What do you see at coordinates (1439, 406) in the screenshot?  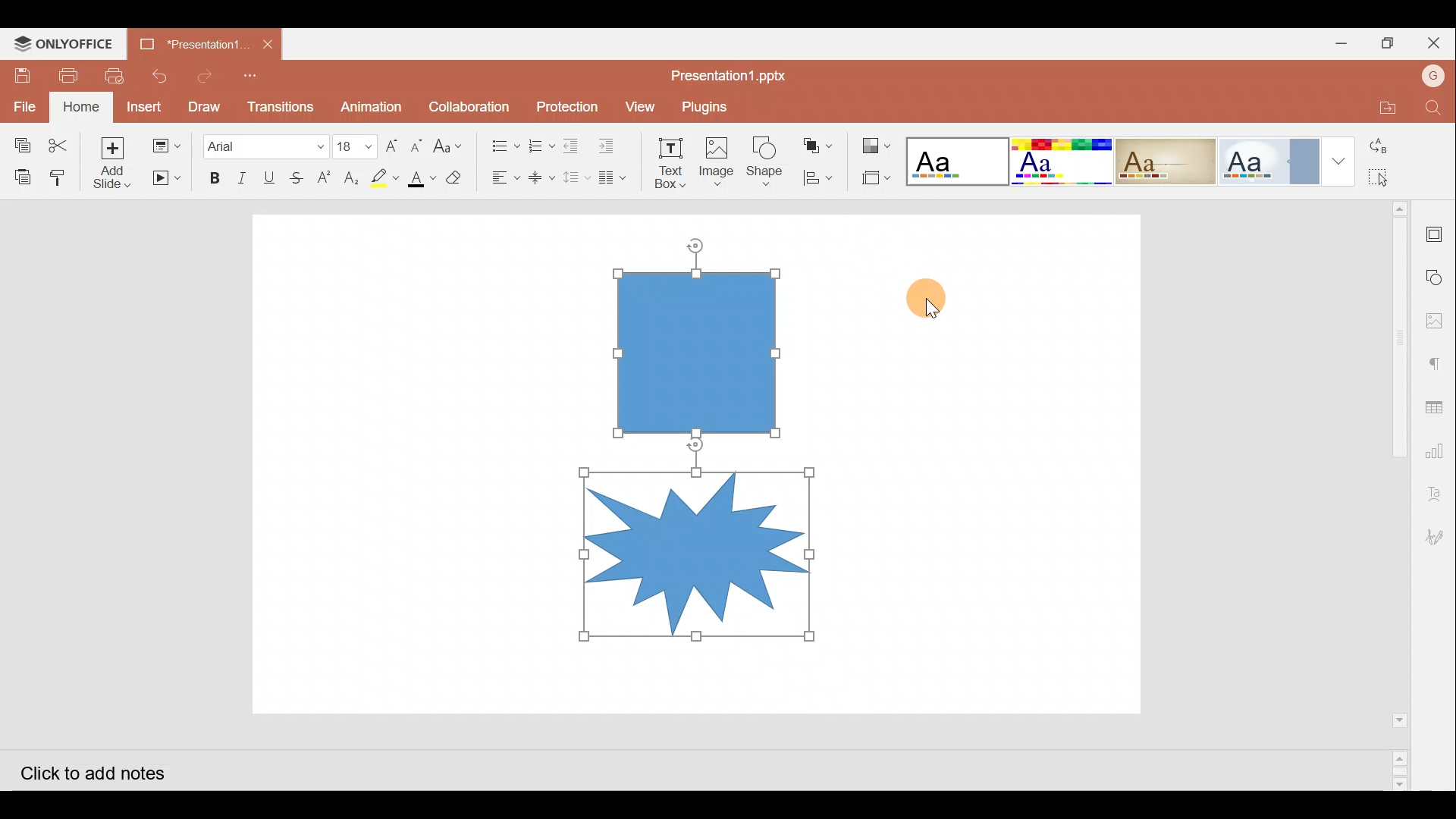 I see `Table settings` at bounding box center [1439, 406].